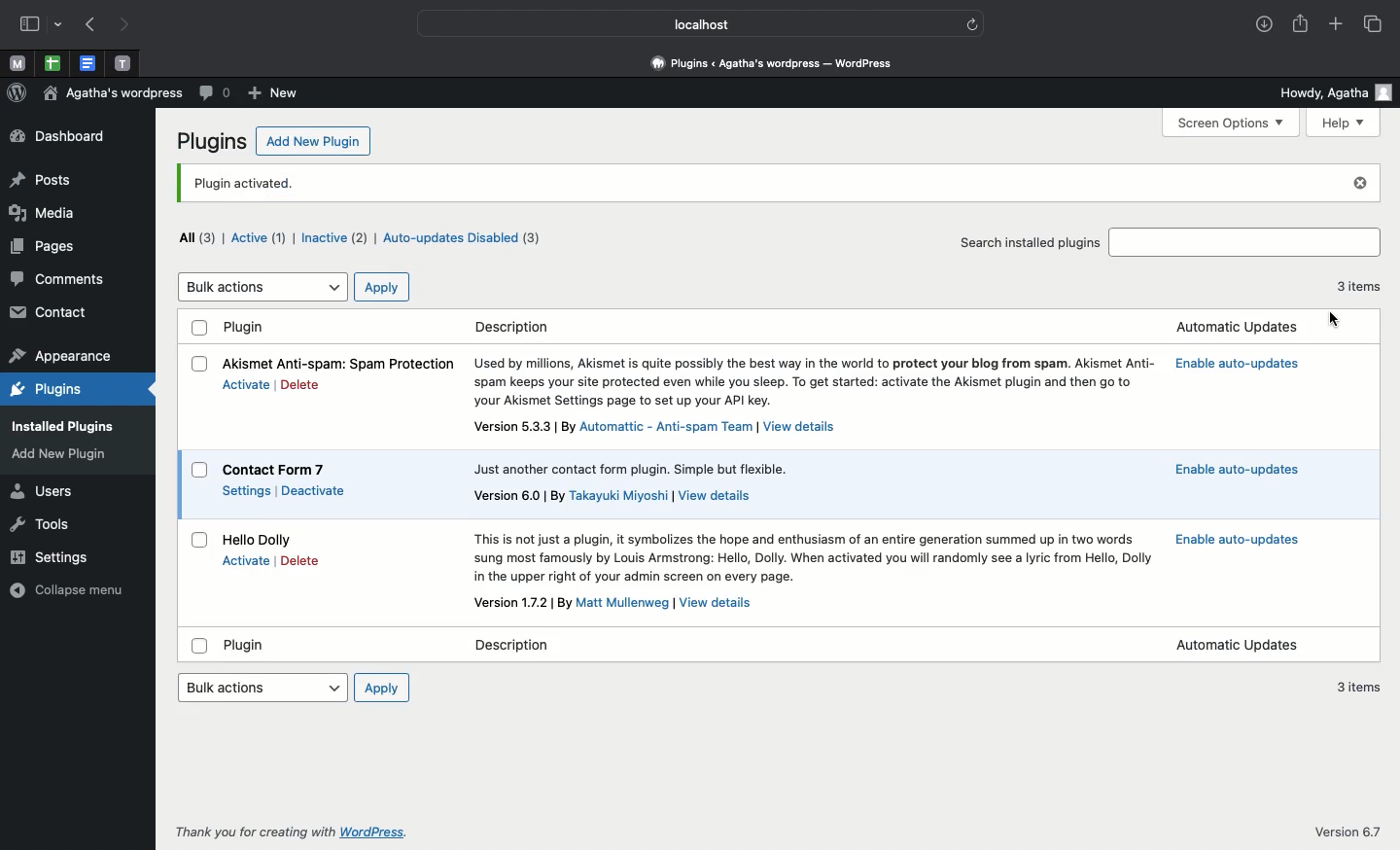 Image resolution: width=1400 pixels, height=850 pixels. Describe the element at coordinates (1335, 90) in the screenshot. I see `Howdy user` at that location.